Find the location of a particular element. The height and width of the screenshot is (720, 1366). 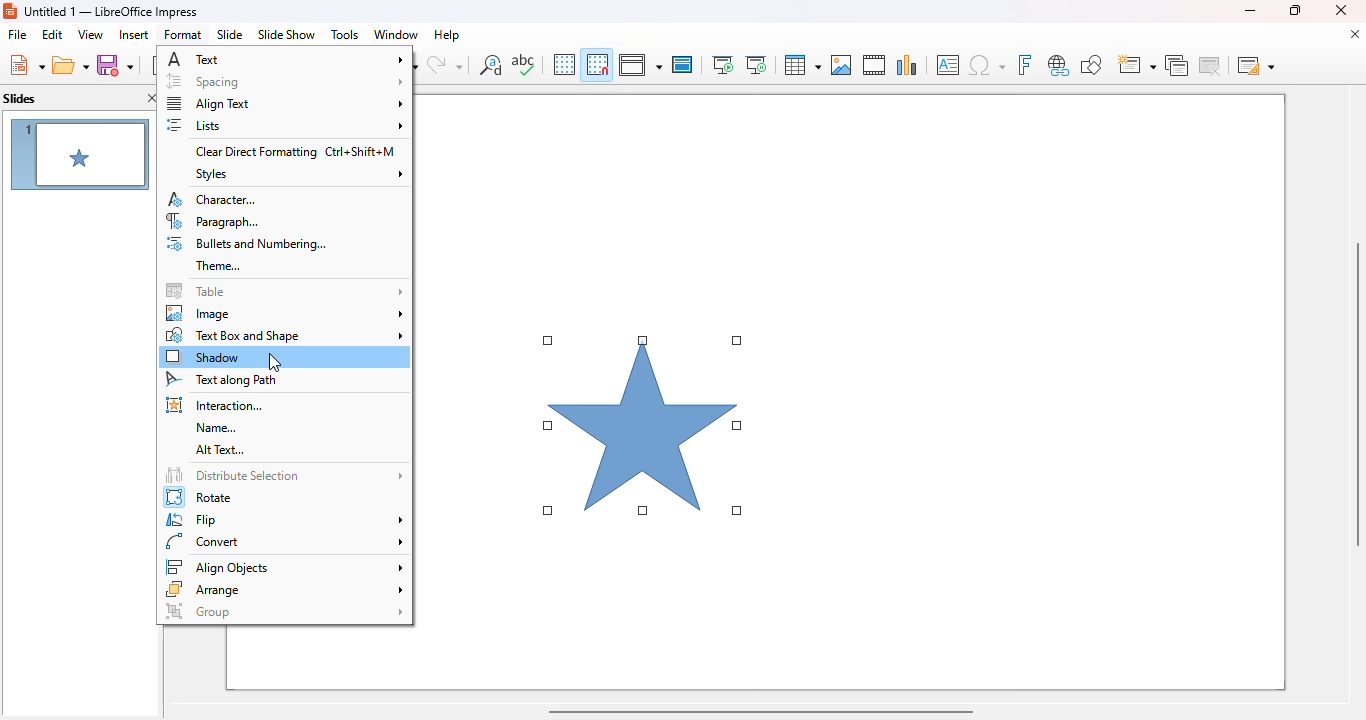

slide is located at coordinates (229, 34).